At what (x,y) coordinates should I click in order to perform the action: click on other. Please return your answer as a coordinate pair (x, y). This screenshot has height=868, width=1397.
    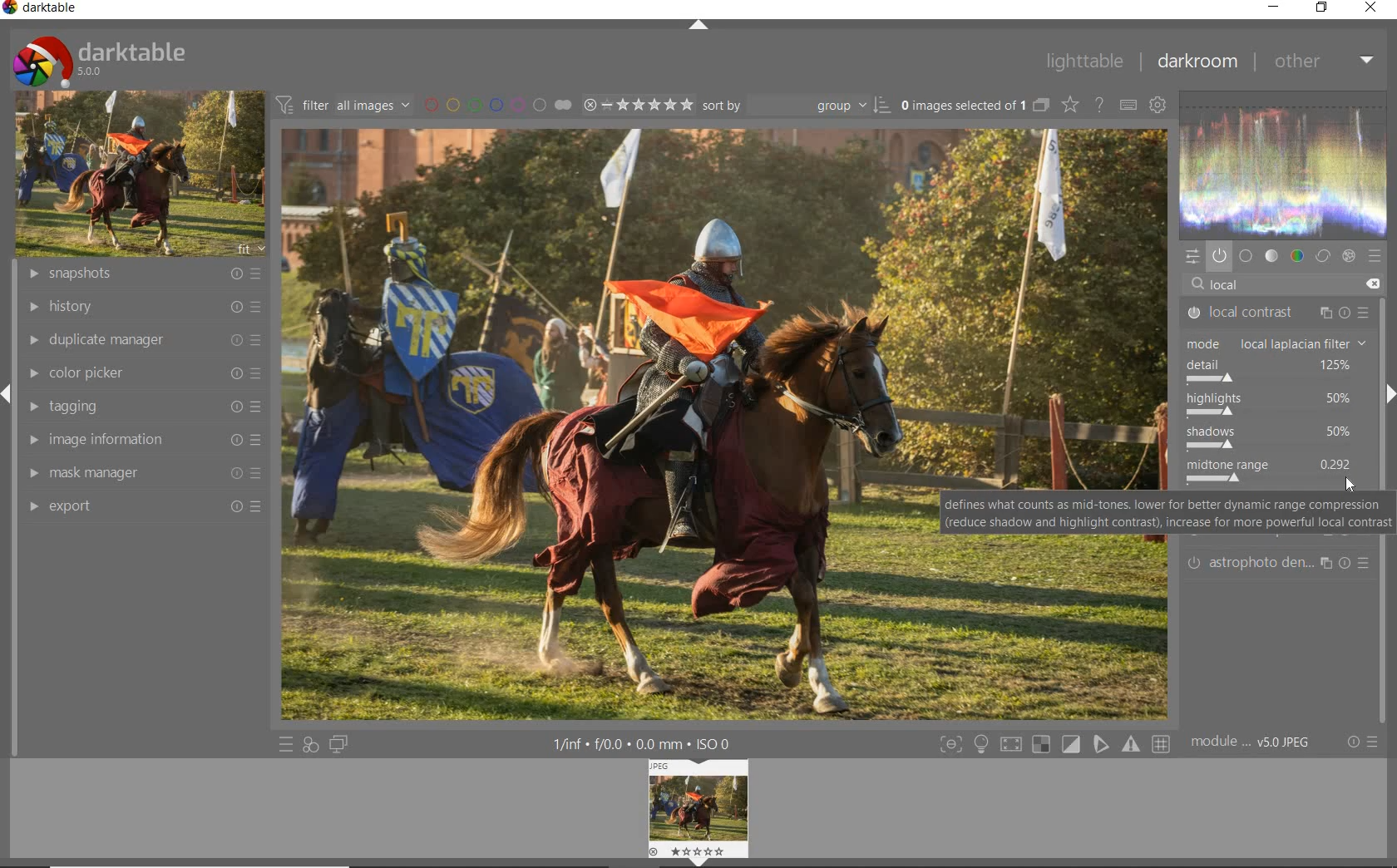
    Looking at the image, I should click on (1325, 62).